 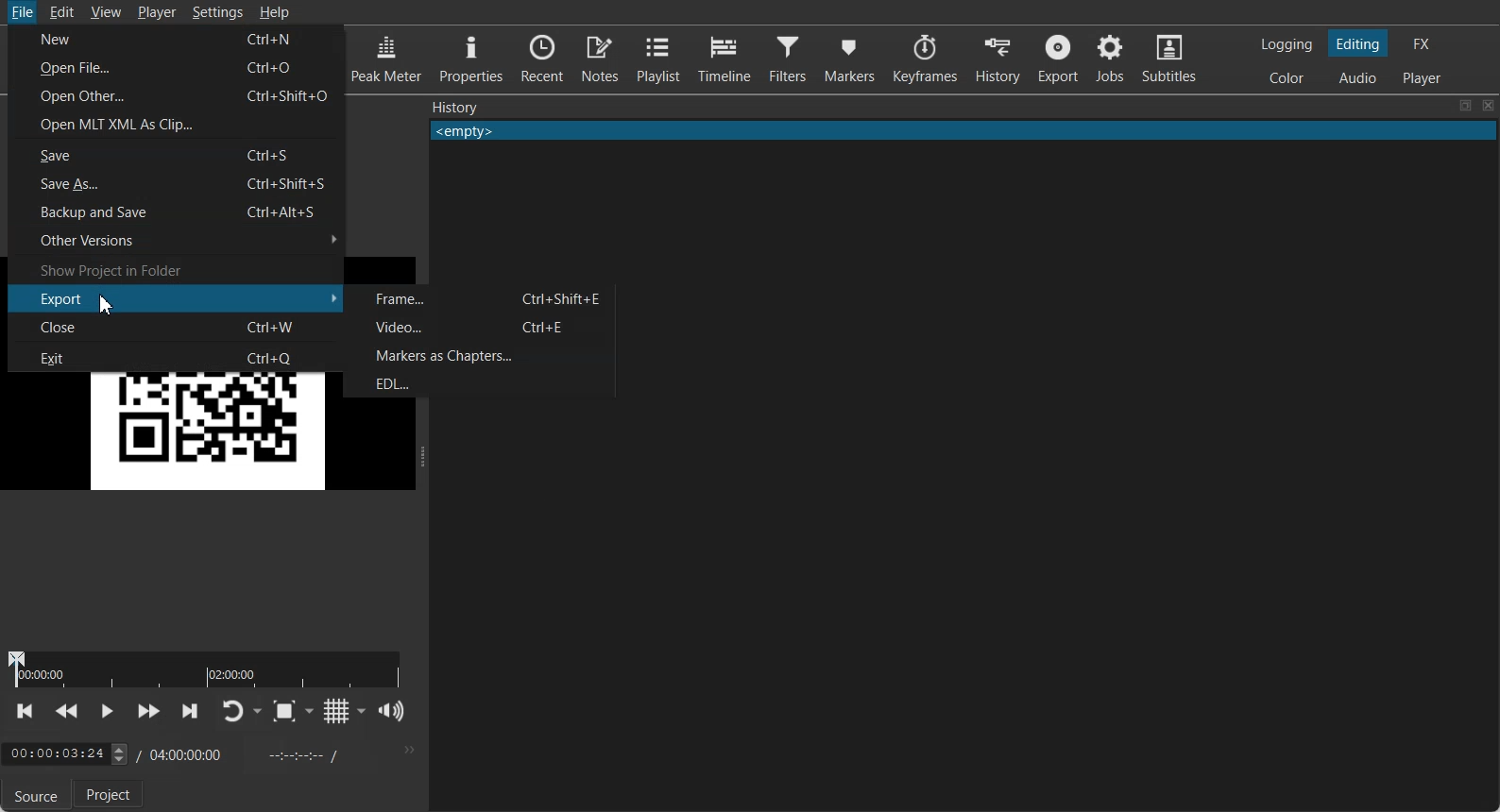 What do you see at coordinates (418, 300) in the screenshot?
I see `Frame` at bounding box center [418, 300].